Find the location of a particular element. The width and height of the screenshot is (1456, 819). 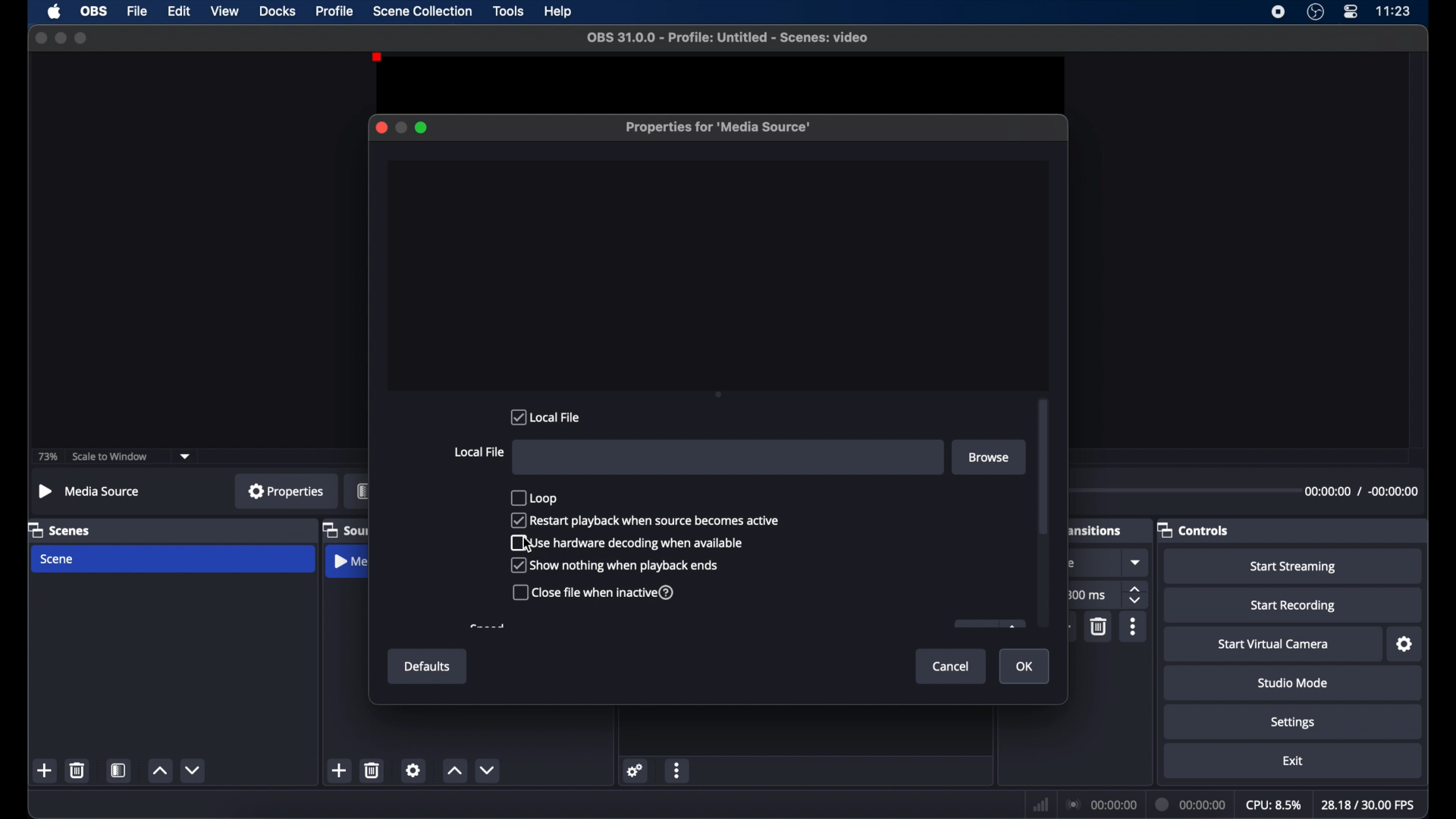

stepper buttons is located at coordinates (1134, 595).